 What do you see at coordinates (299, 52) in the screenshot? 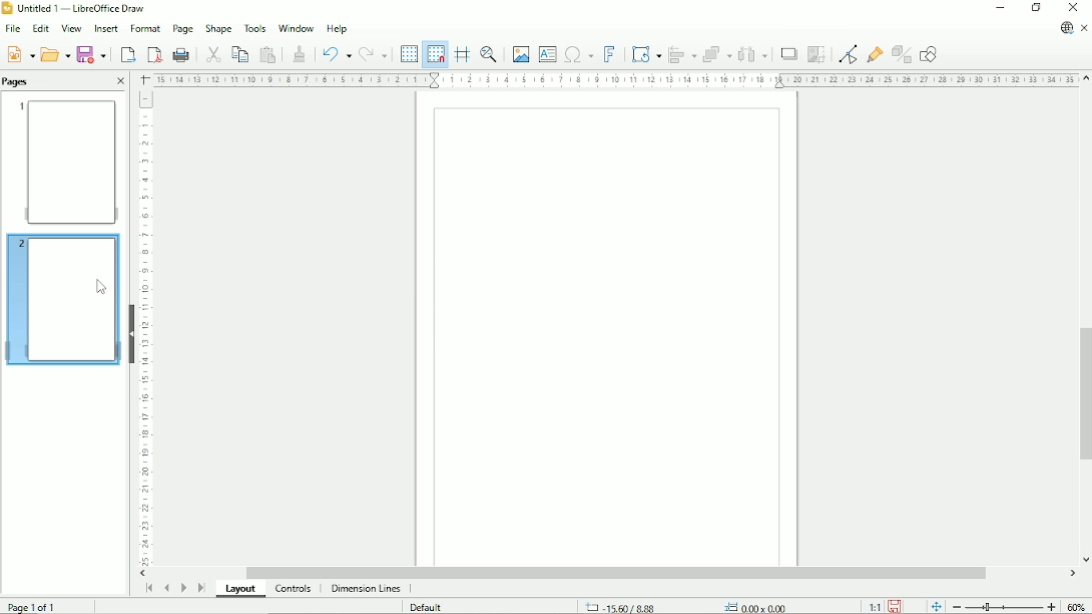
I see `Clone formatting` at bounding box center [299, 52].